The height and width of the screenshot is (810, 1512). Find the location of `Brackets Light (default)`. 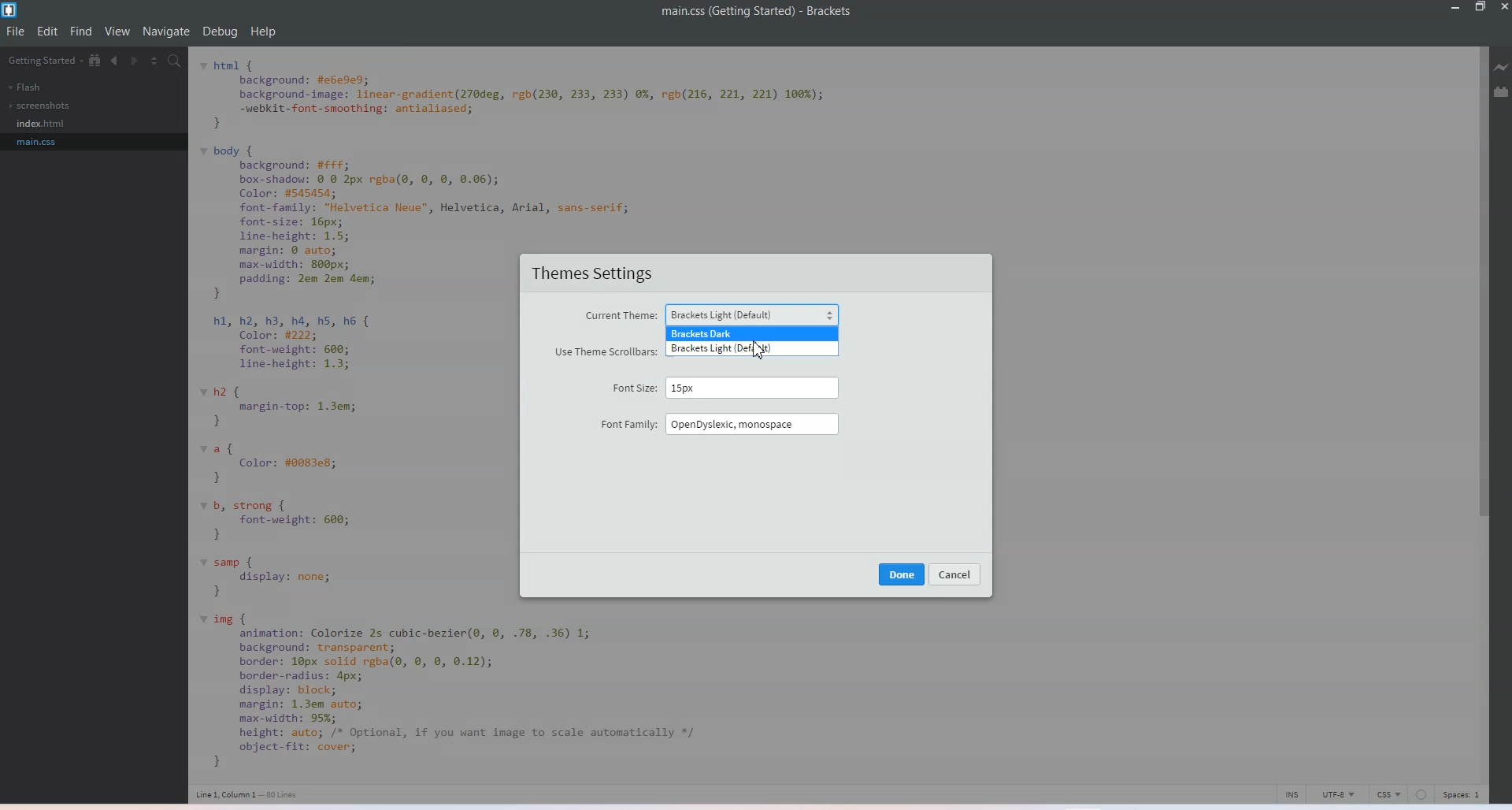

Brackets Light (default) is located at coordinates (754, 314).